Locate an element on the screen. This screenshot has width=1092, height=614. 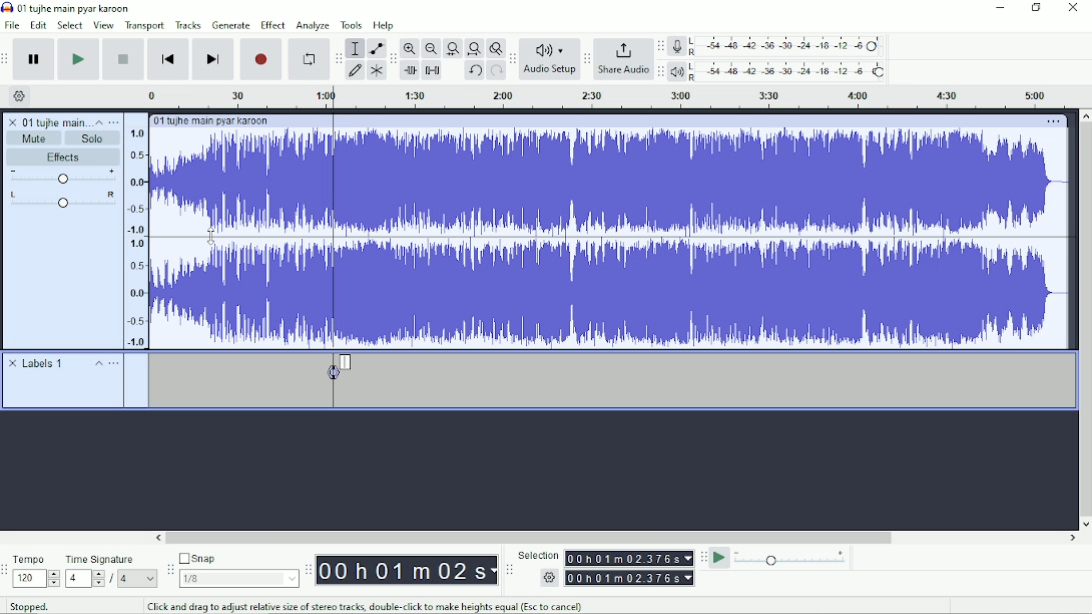
Envelope tool is located at coordinates (375, 48).